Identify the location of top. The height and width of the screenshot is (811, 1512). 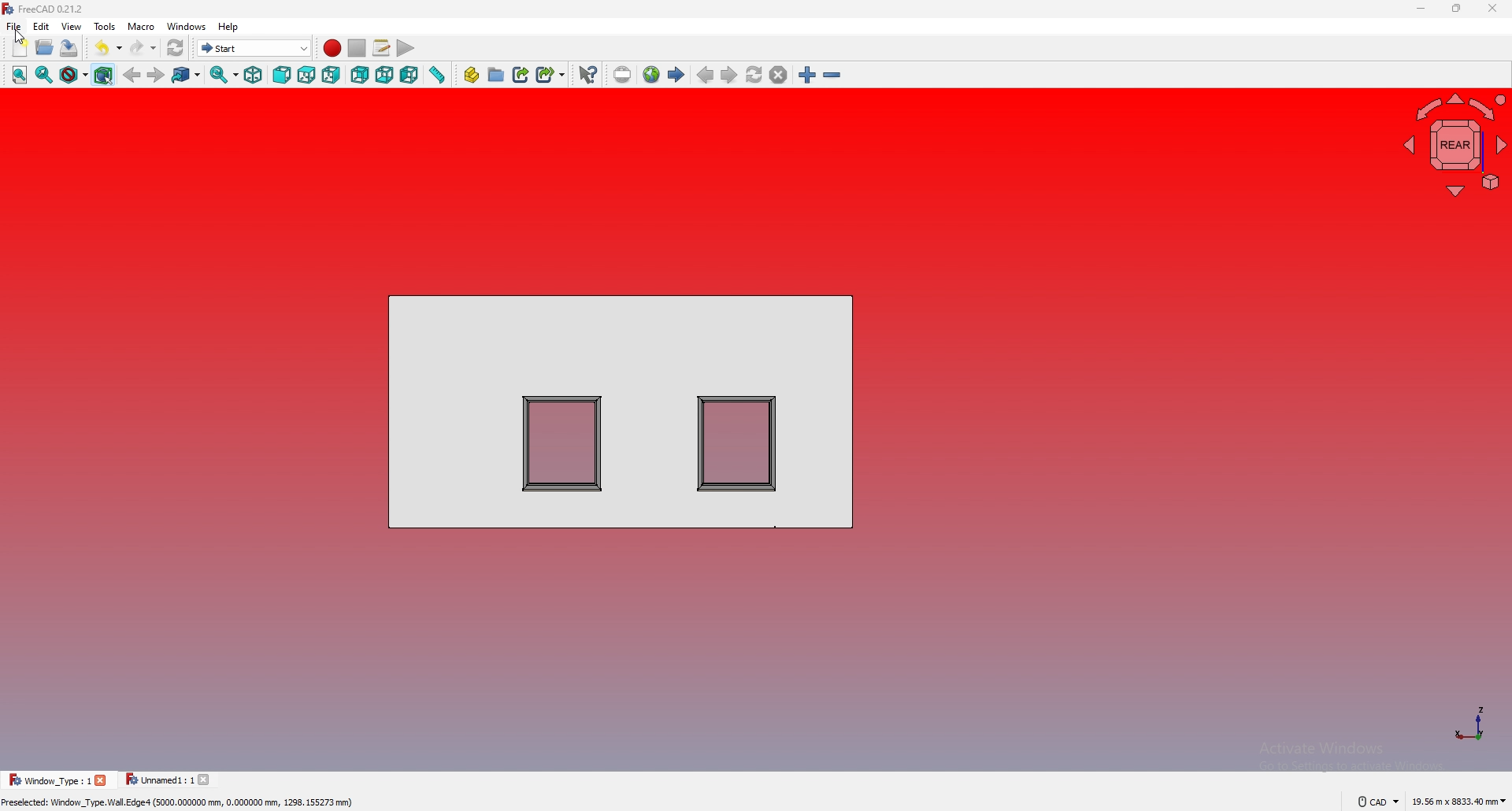
(306, 75).